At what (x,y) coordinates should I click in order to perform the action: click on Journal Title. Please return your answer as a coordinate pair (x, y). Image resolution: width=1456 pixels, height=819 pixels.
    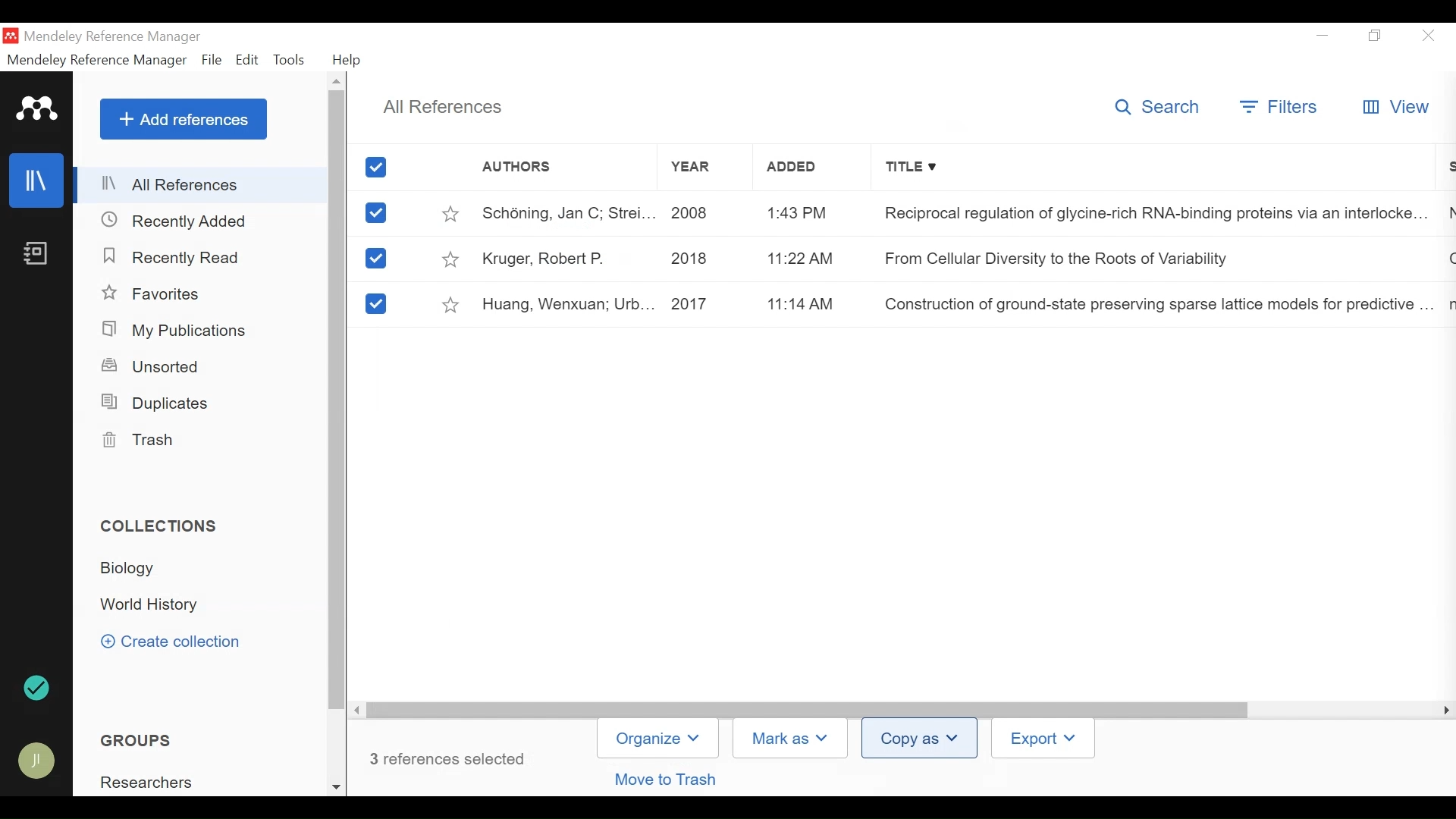
    Looking at the image, I should click on (1150, 304).